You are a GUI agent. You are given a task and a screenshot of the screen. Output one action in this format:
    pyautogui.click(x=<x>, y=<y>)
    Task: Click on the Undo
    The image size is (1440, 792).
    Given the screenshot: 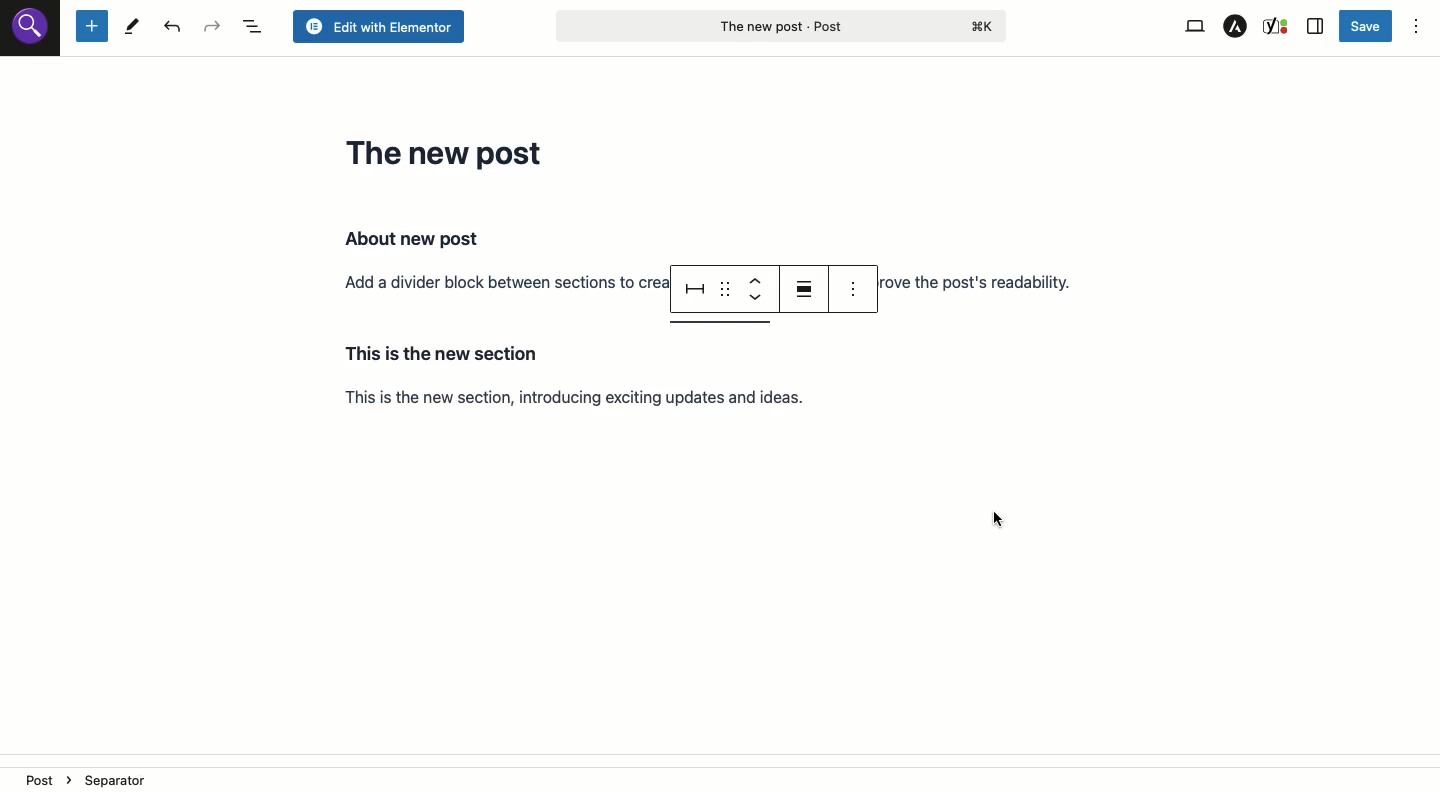 What is the action you would take?
    pyautogui.click(x=176, y=28)
    